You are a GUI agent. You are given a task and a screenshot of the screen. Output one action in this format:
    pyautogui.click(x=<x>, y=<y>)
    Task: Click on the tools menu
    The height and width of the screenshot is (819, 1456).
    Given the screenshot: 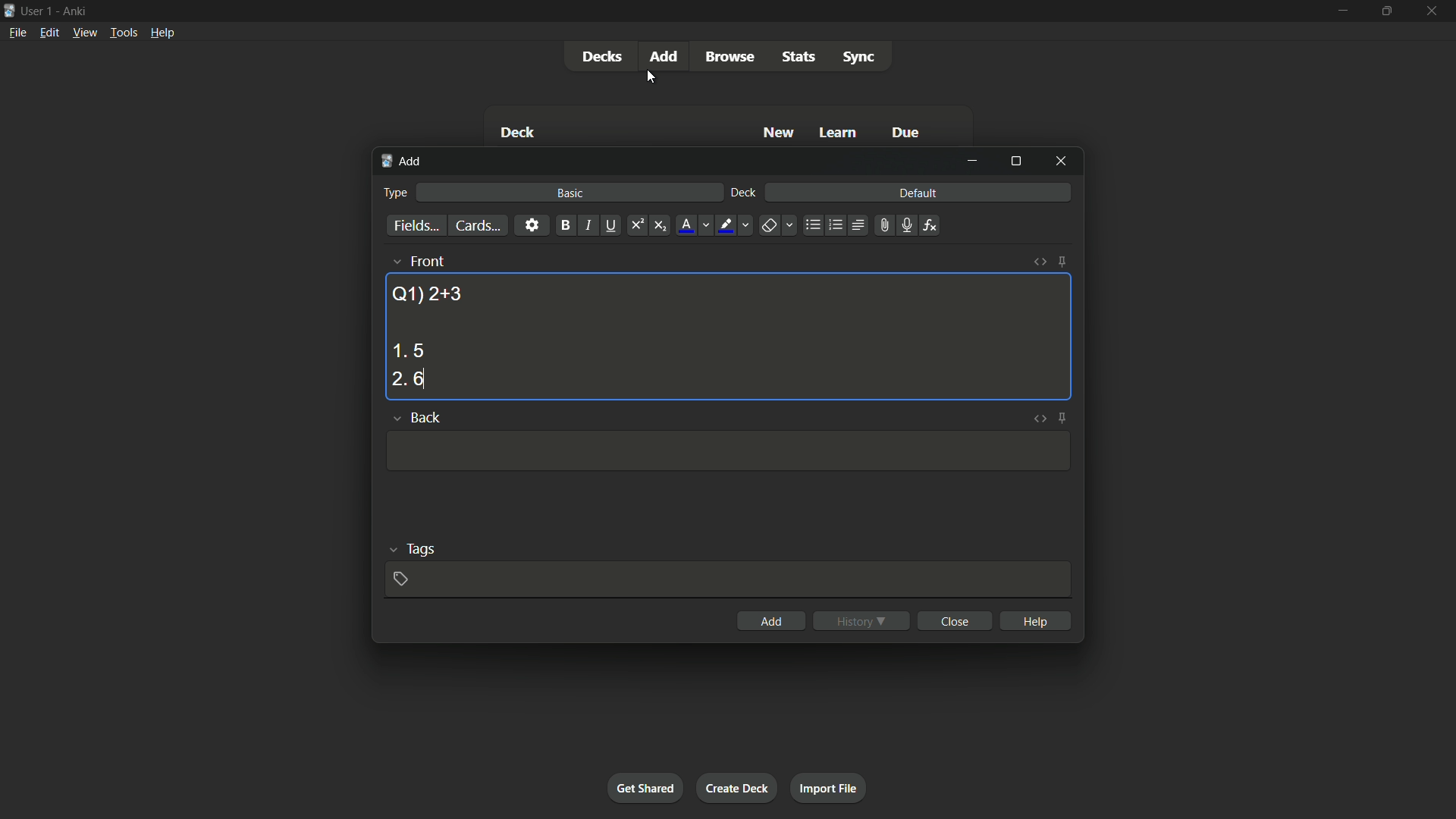 What is the action you would take?
    pyautogui.click(x=123, y=32)
    